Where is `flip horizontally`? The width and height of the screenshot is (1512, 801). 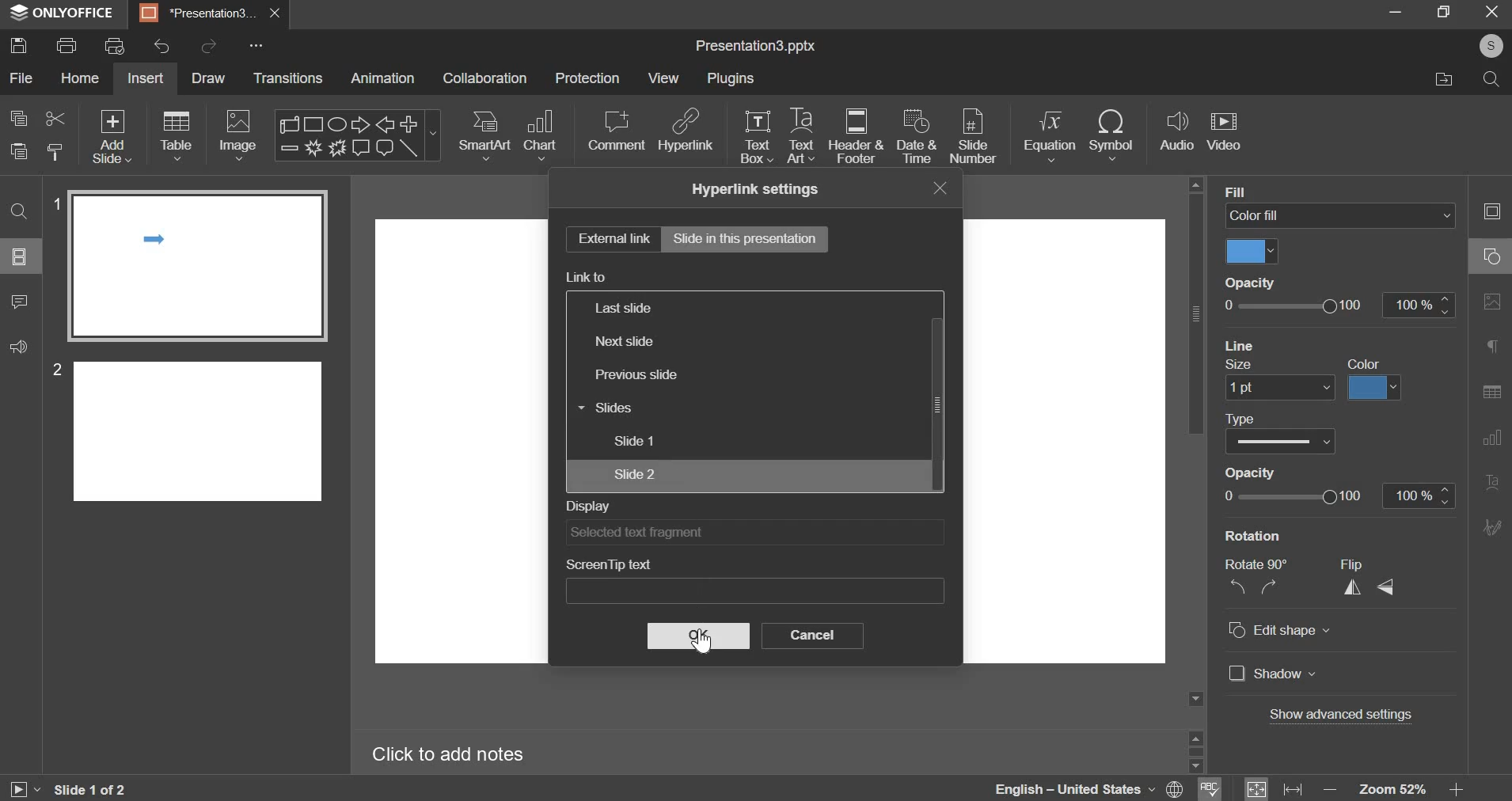
flip horizontally is located at coordinates (1353, 587).